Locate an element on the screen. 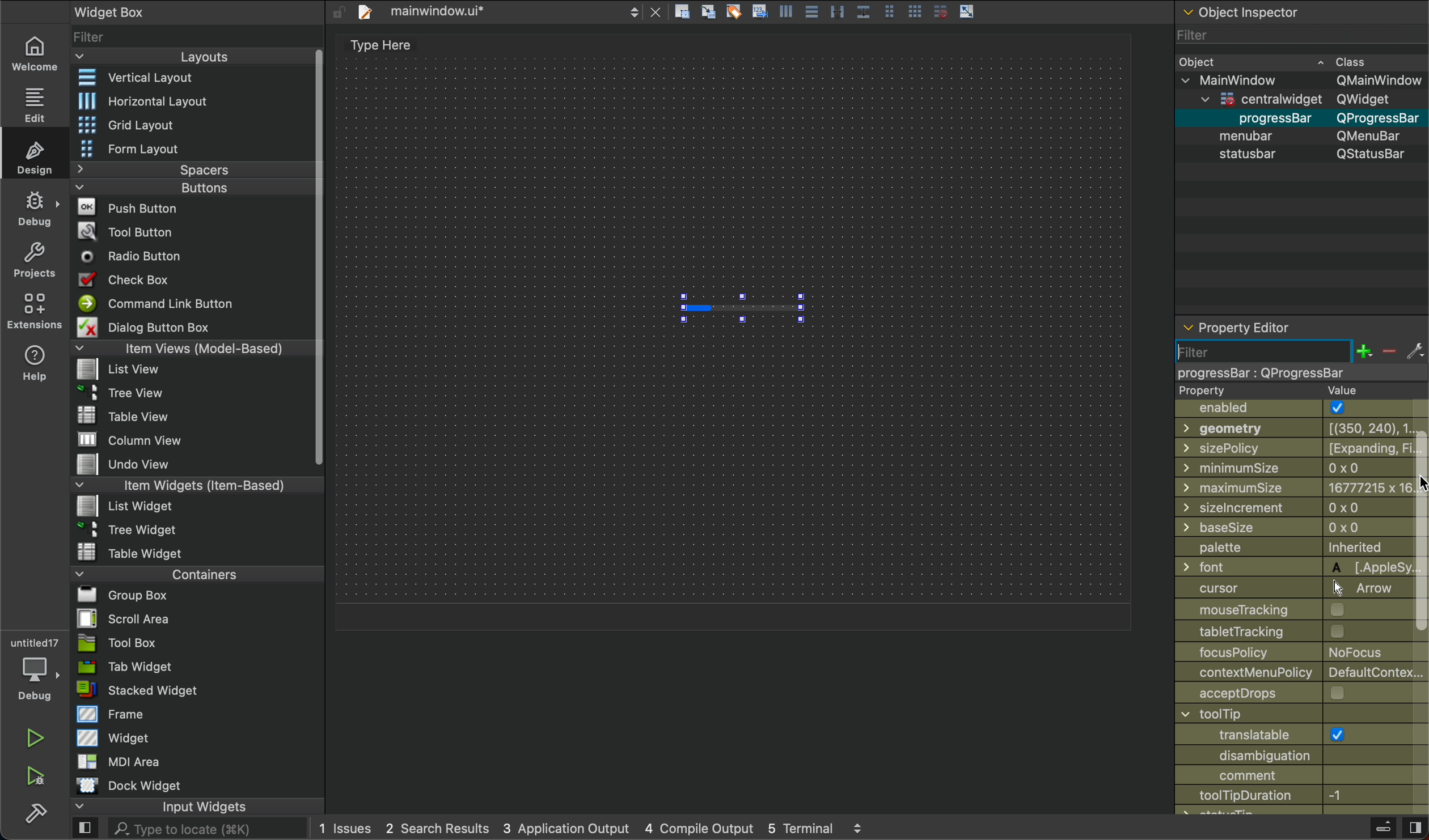  vertical layout is located at coordinates (188, 79).